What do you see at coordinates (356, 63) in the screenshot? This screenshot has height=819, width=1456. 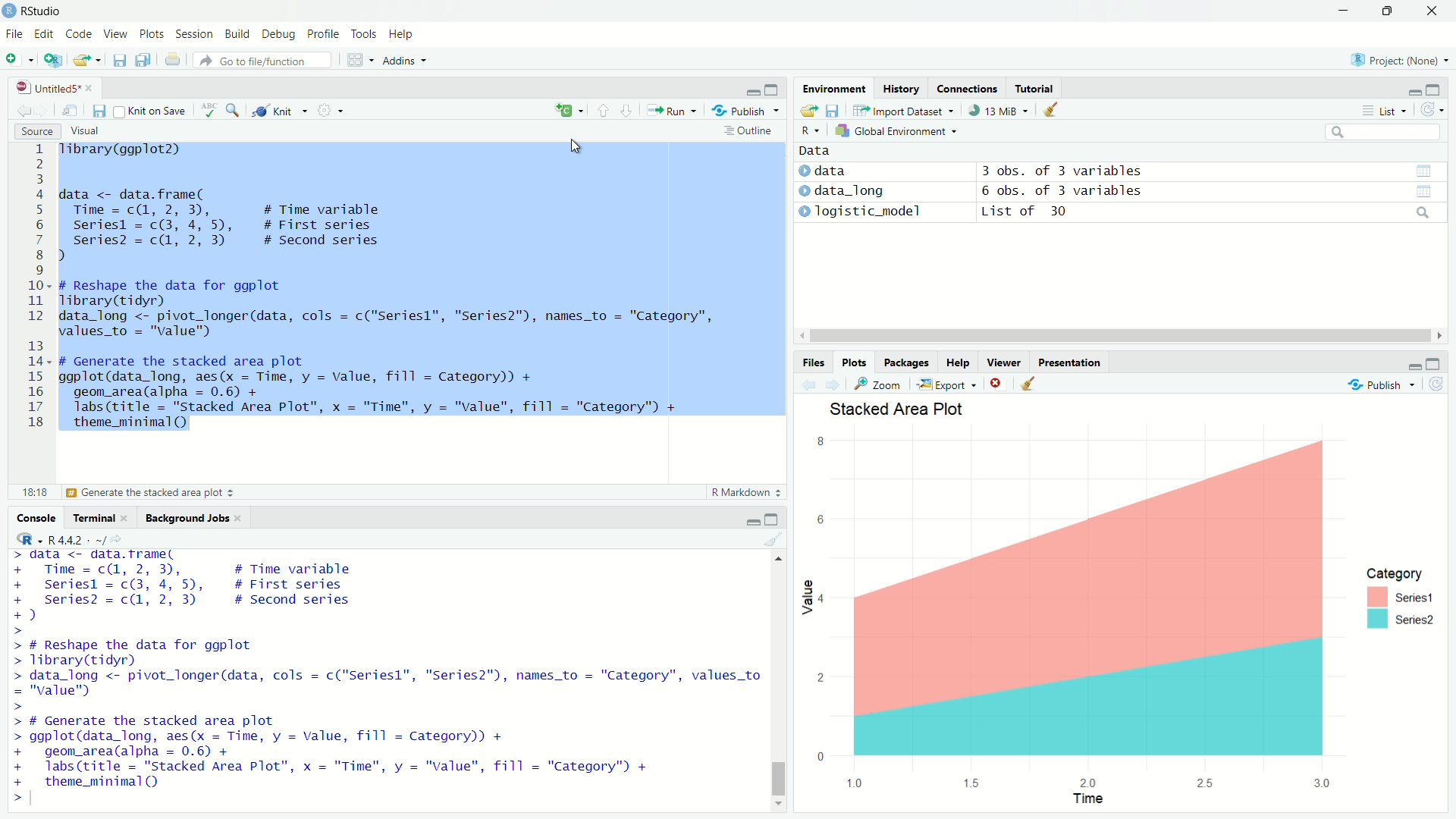 I see `grid` at bounding box center [356, 63].